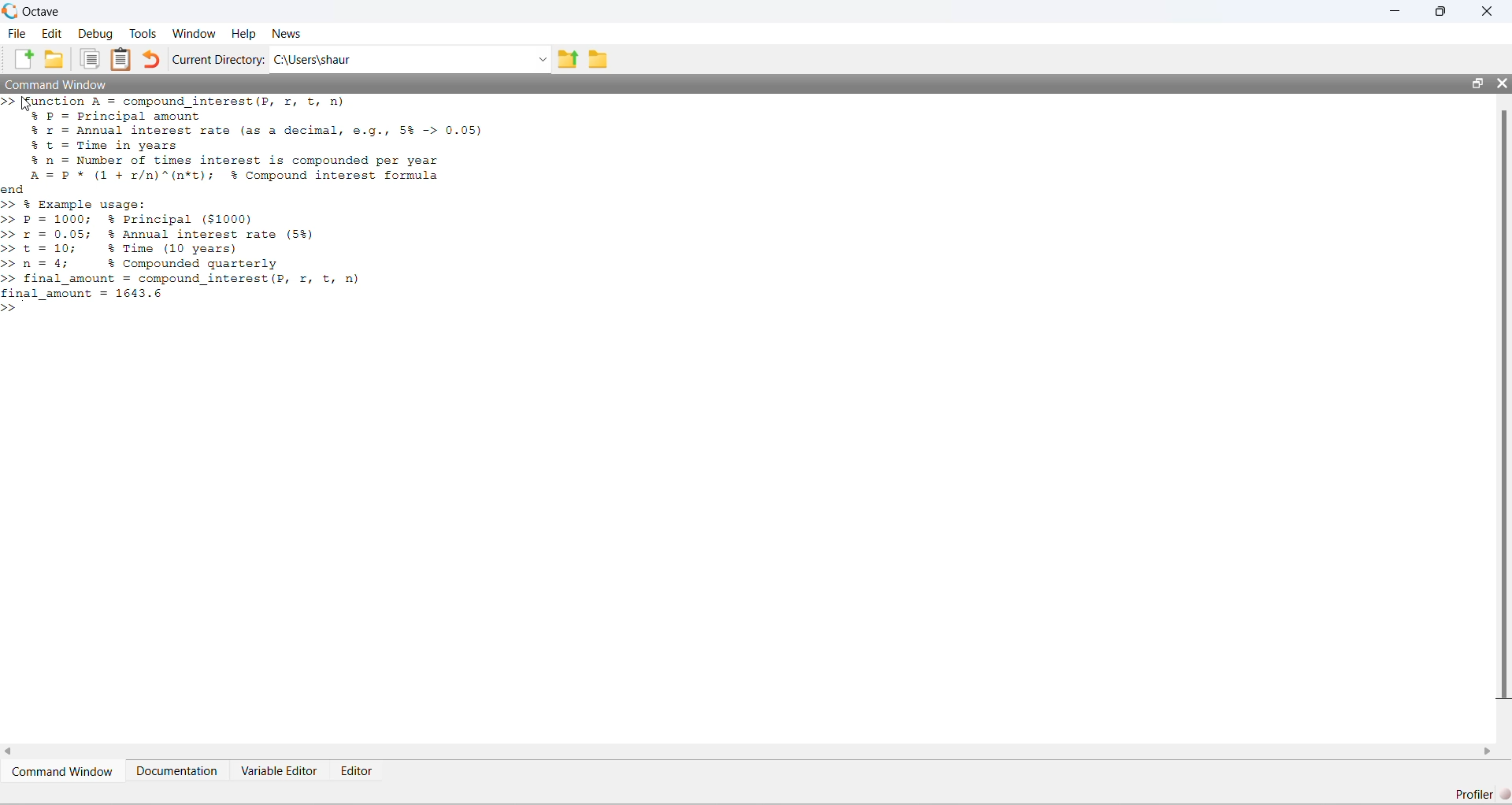 The width and height of the screenshot is (1512, 805). Describe the element at coordinates (1440, 11) in the screenshot. I see `maximize` at that location.